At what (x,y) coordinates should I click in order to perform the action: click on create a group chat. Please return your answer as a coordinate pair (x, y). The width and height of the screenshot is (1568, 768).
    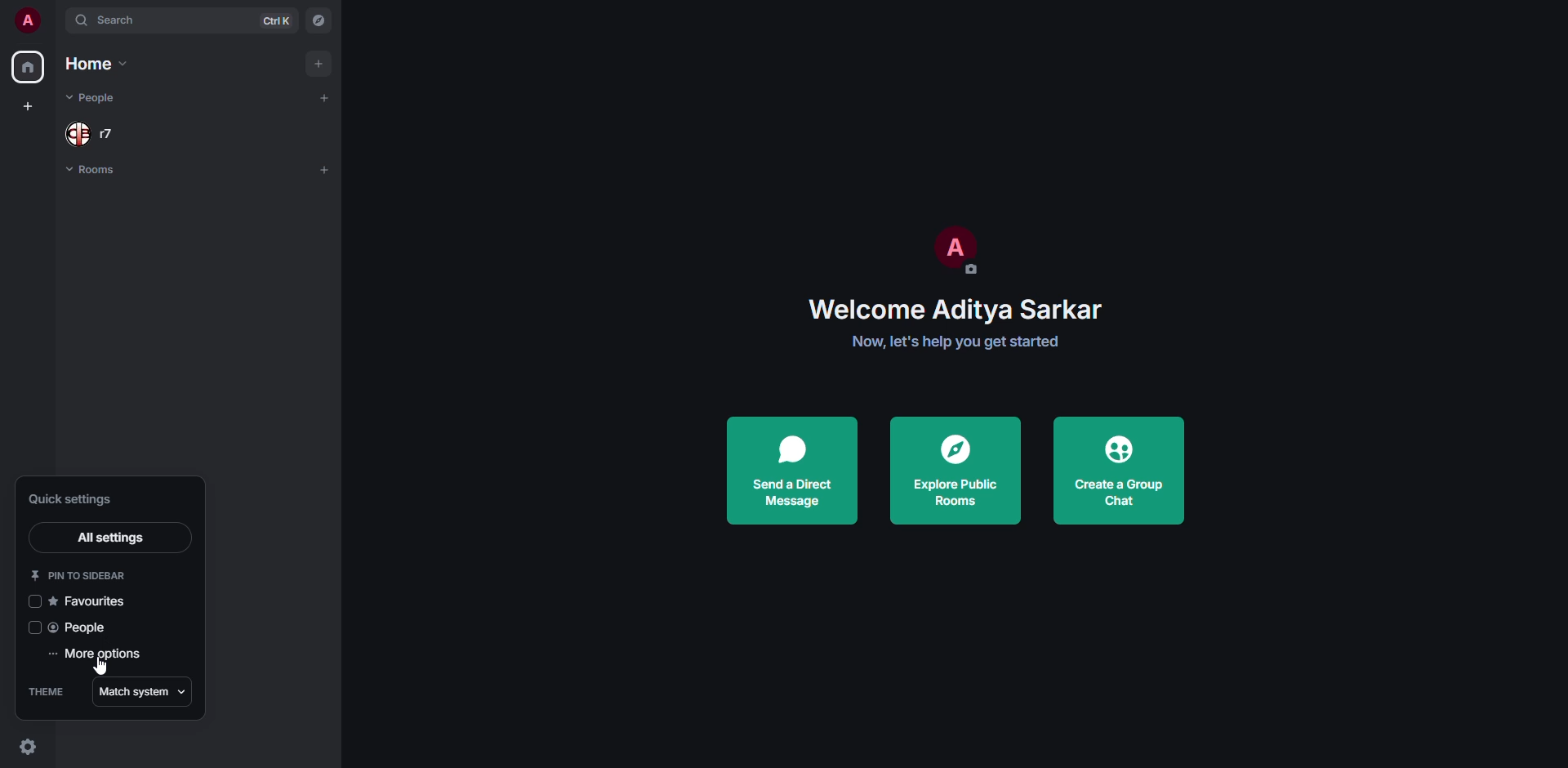
    Looking at the image, I should click on (1120, 470).